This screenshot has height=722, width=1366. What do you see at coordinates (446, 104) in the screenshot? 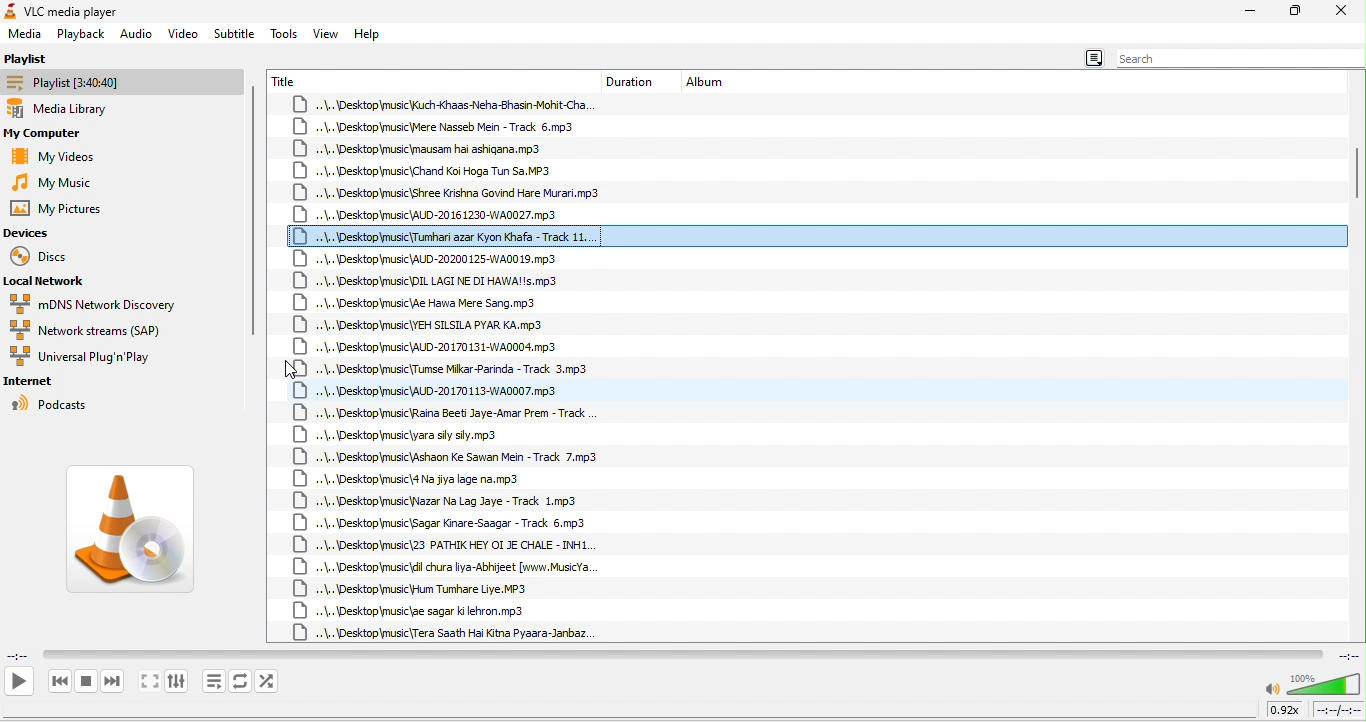
I see `..\..\Desktop\music Kuch -Khaas-Neha-Bhasin-Mohit-Cha.` at bounding box center [446, 104].